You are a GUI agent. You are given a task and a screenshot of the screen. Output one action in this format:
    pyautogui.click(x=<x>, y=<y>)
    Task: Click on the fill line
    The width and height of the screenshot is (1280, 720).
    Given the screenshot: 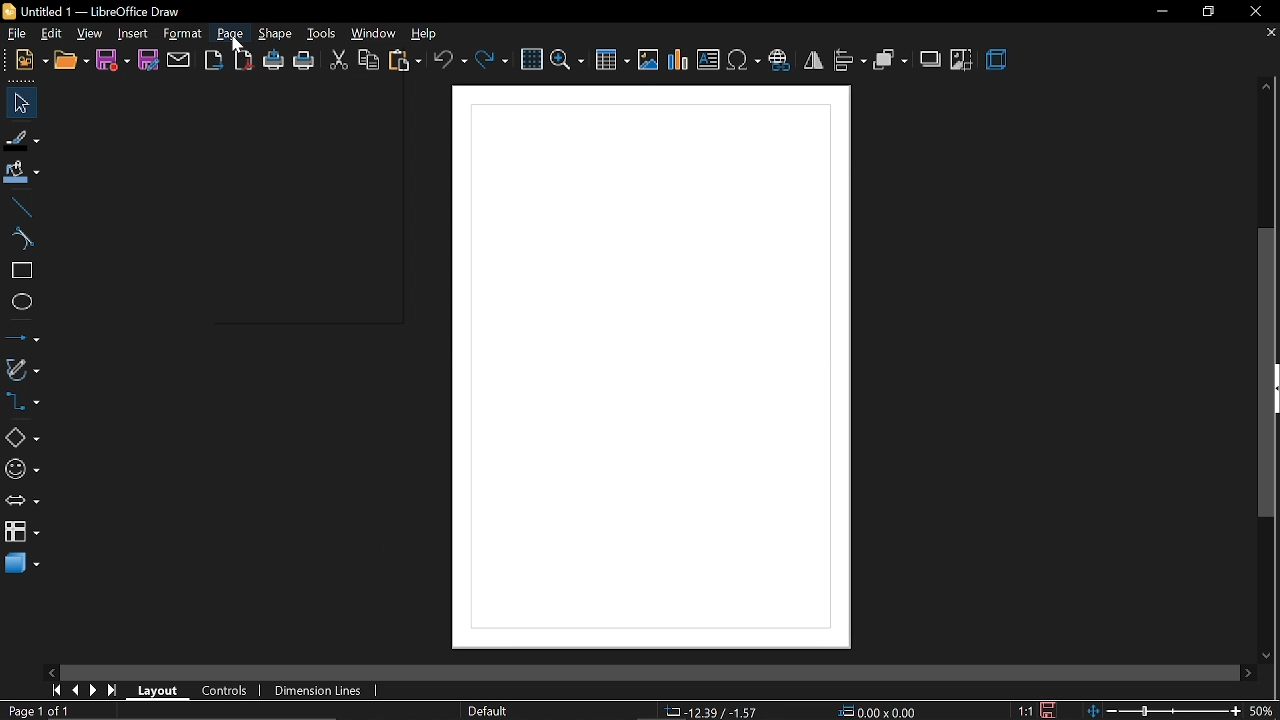 What is the action you would take?
    pyautogui.click(x=23, y=140)
    